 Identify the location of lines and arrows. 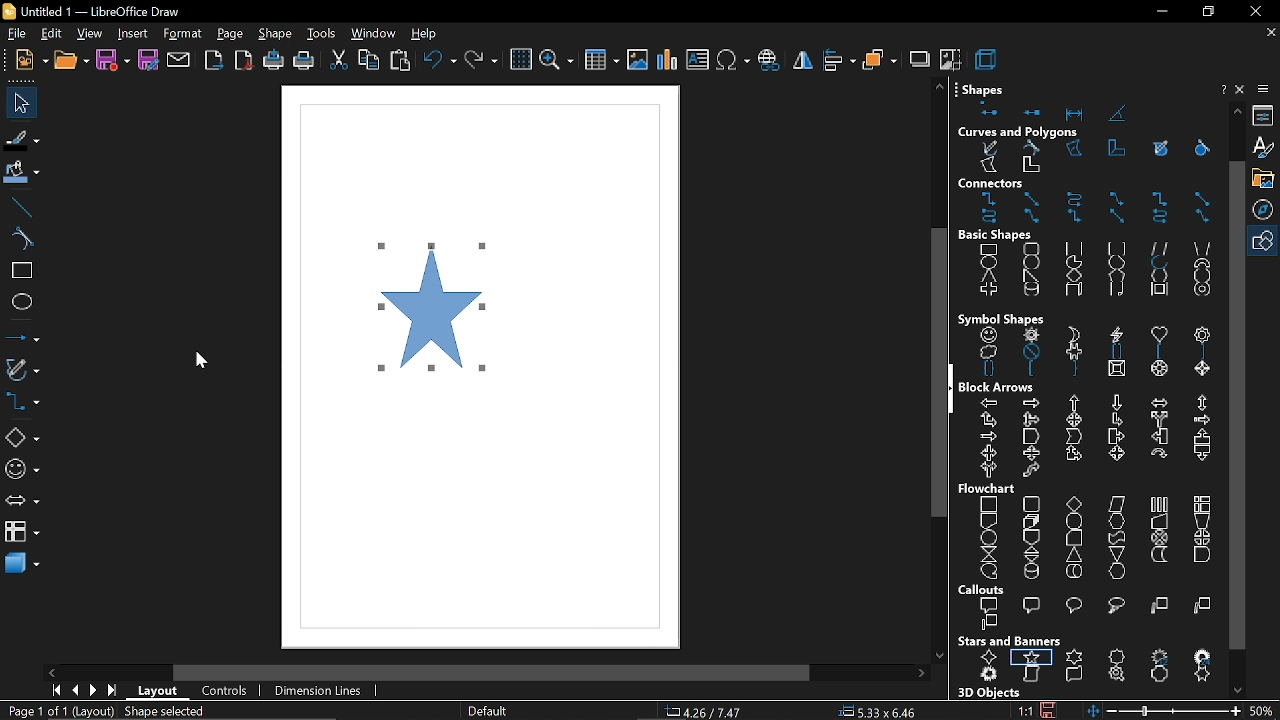
(22, 340).